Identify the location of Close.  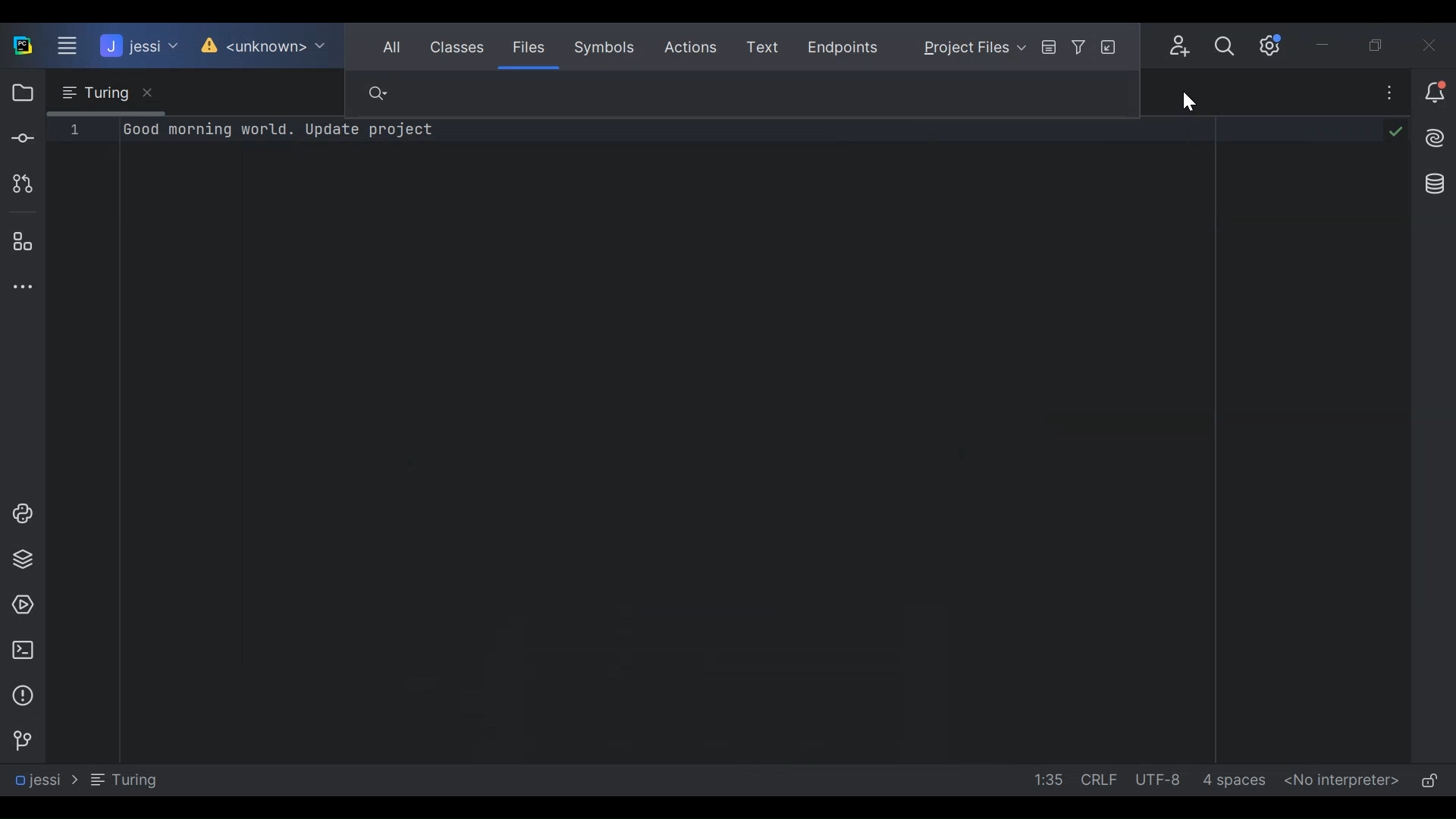
(1434, 45).